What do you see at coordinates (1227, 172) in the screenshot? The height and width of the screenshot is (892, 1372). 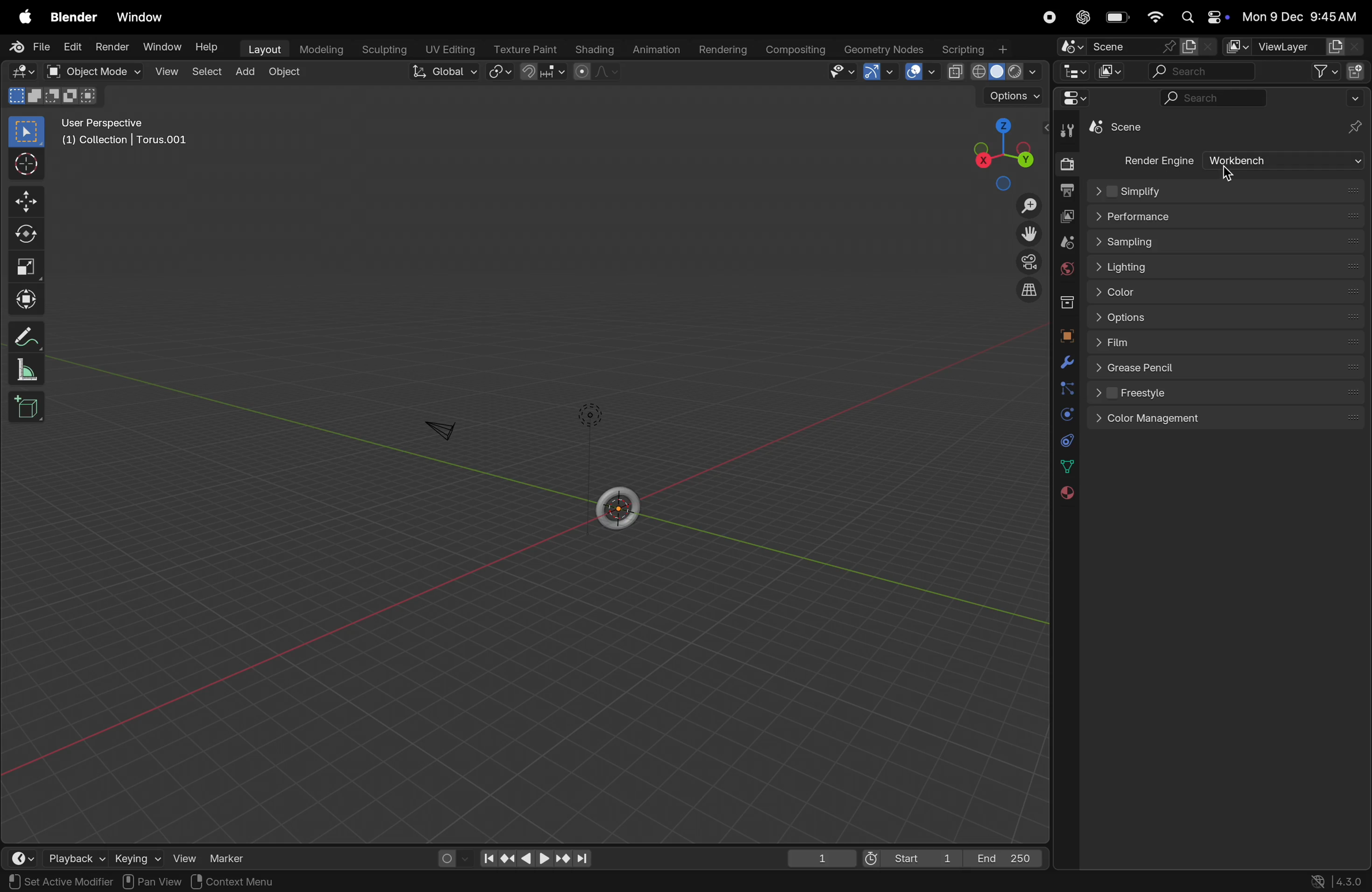 I see `cursor` at bounding box center [1227, 172].